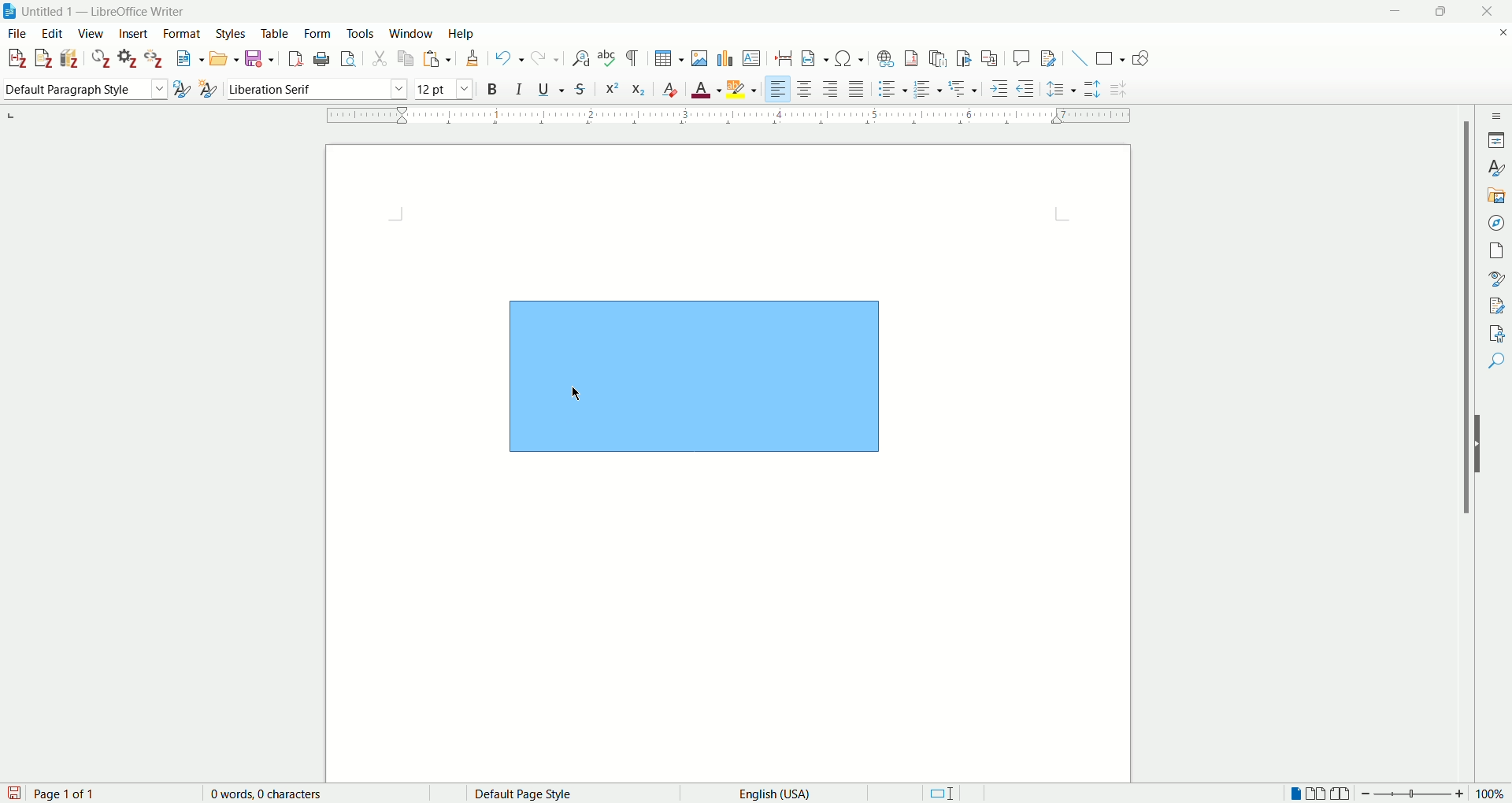 This screenshot has width=1512, height=803. What do you see at coordinates (473, 57) in the screenshot?
I see `clone formatting` at bounding box center [473, 57].